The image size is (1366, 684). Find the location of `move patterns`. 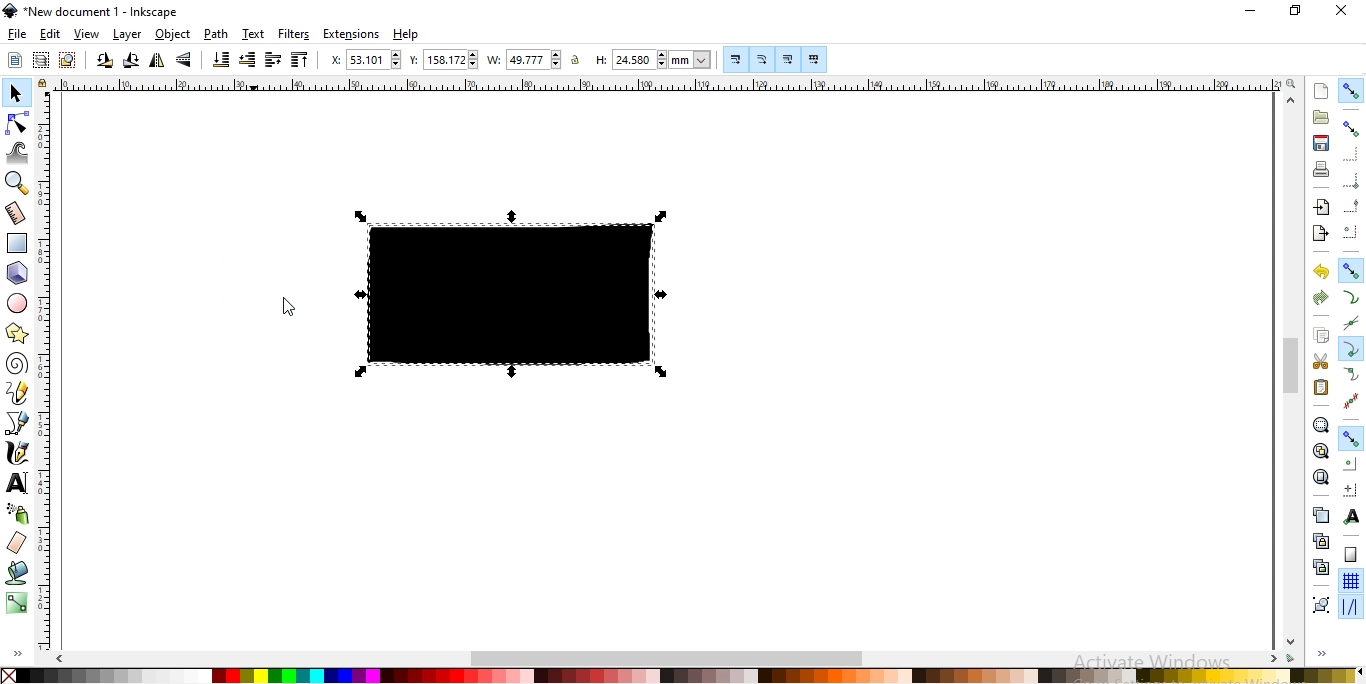

move patterns is located at coordinates (817, 59).